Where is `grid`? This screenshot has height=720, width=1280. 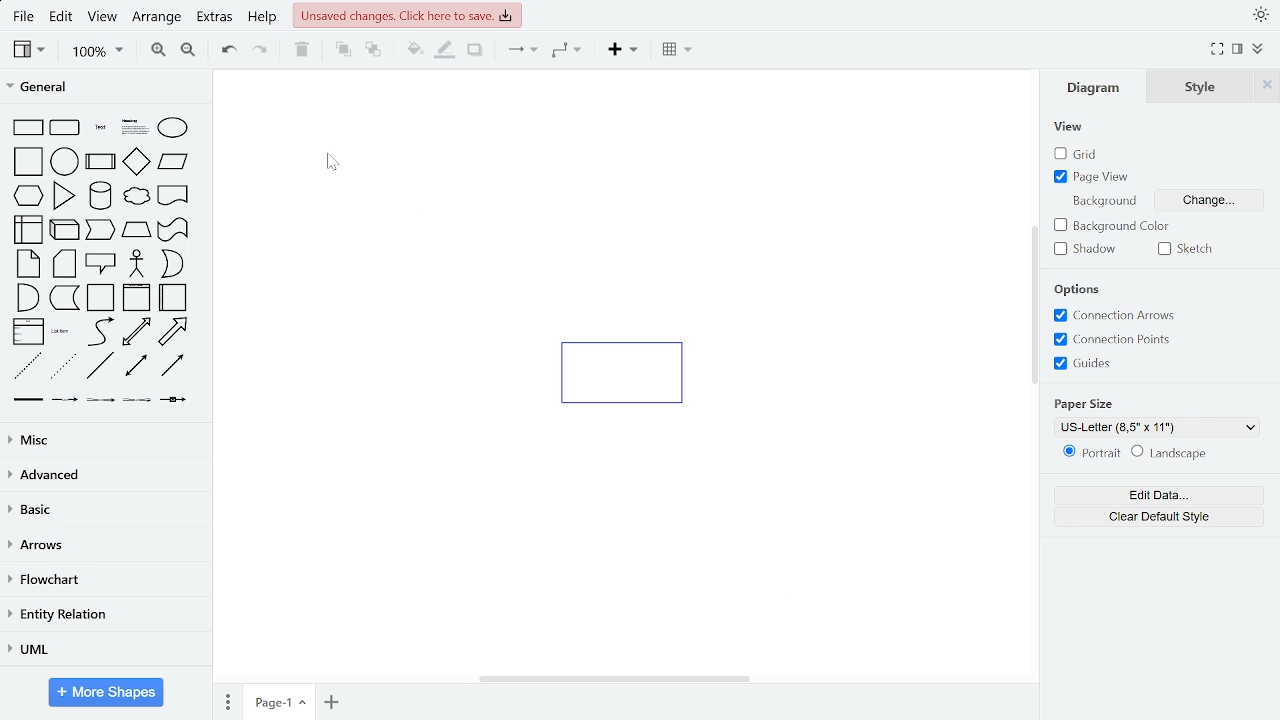
grid is located at coordinates (1078, 154).